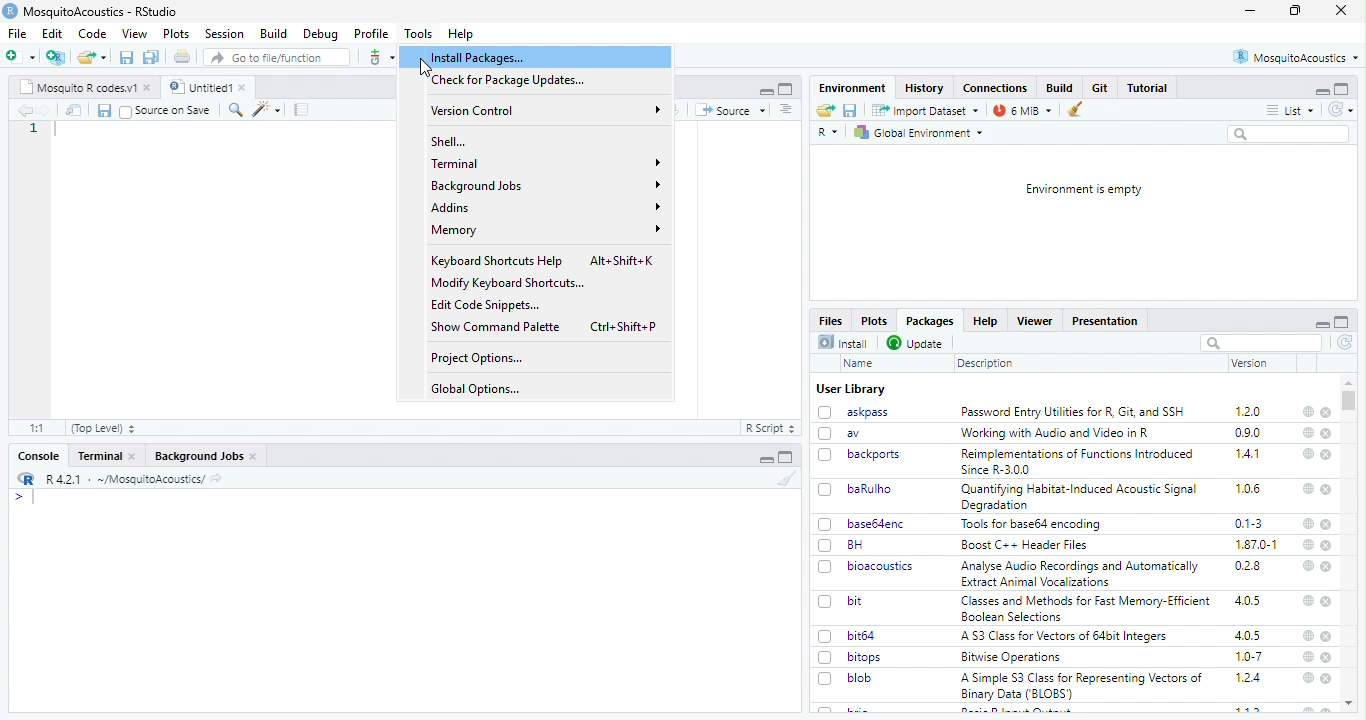 This screenshot has height=720, width=1366. Describe the element at coordinates (1249, 523) in the screenshot. I see `01-3` at that location.